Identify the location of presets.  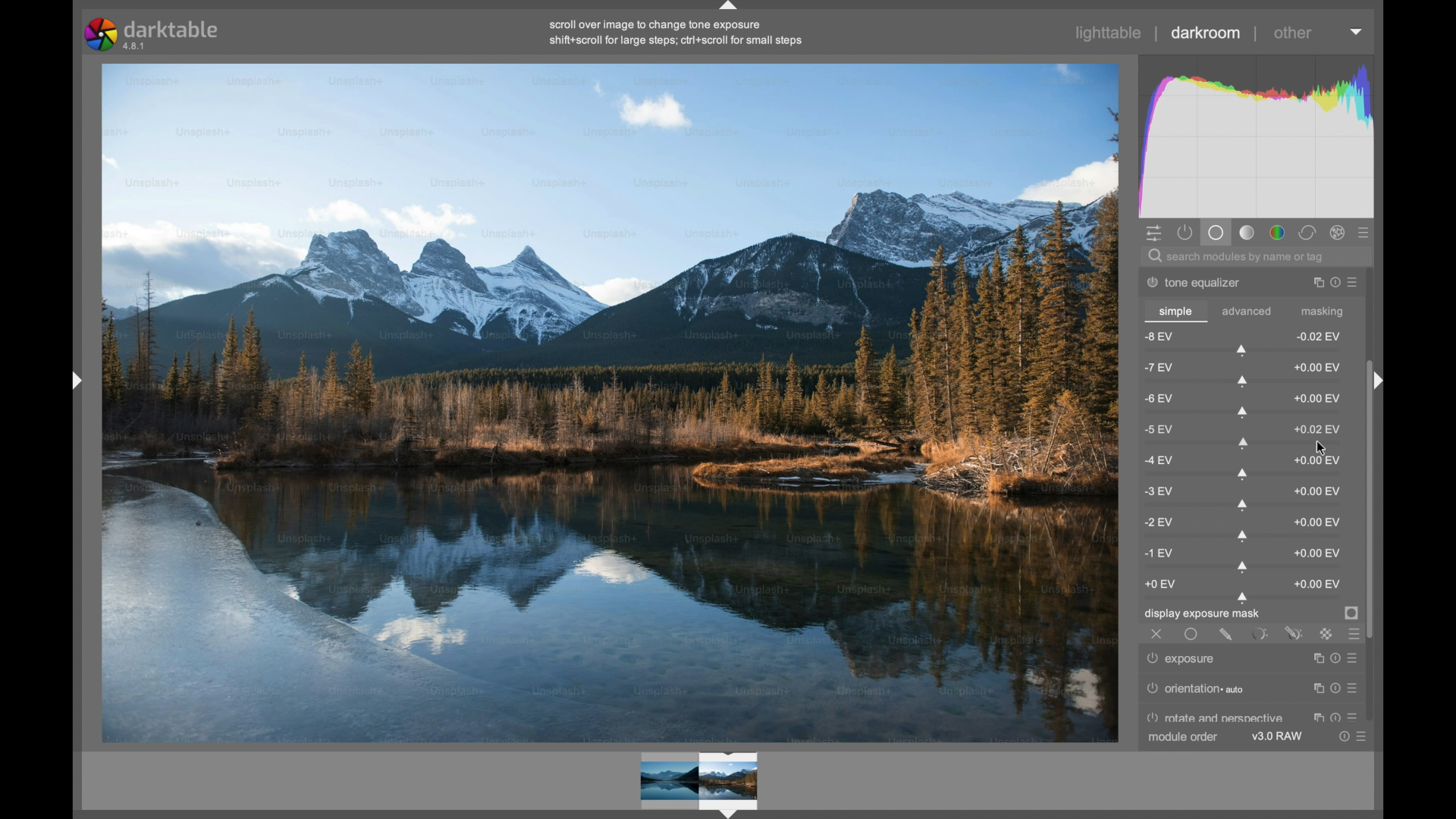
(1357, 280).